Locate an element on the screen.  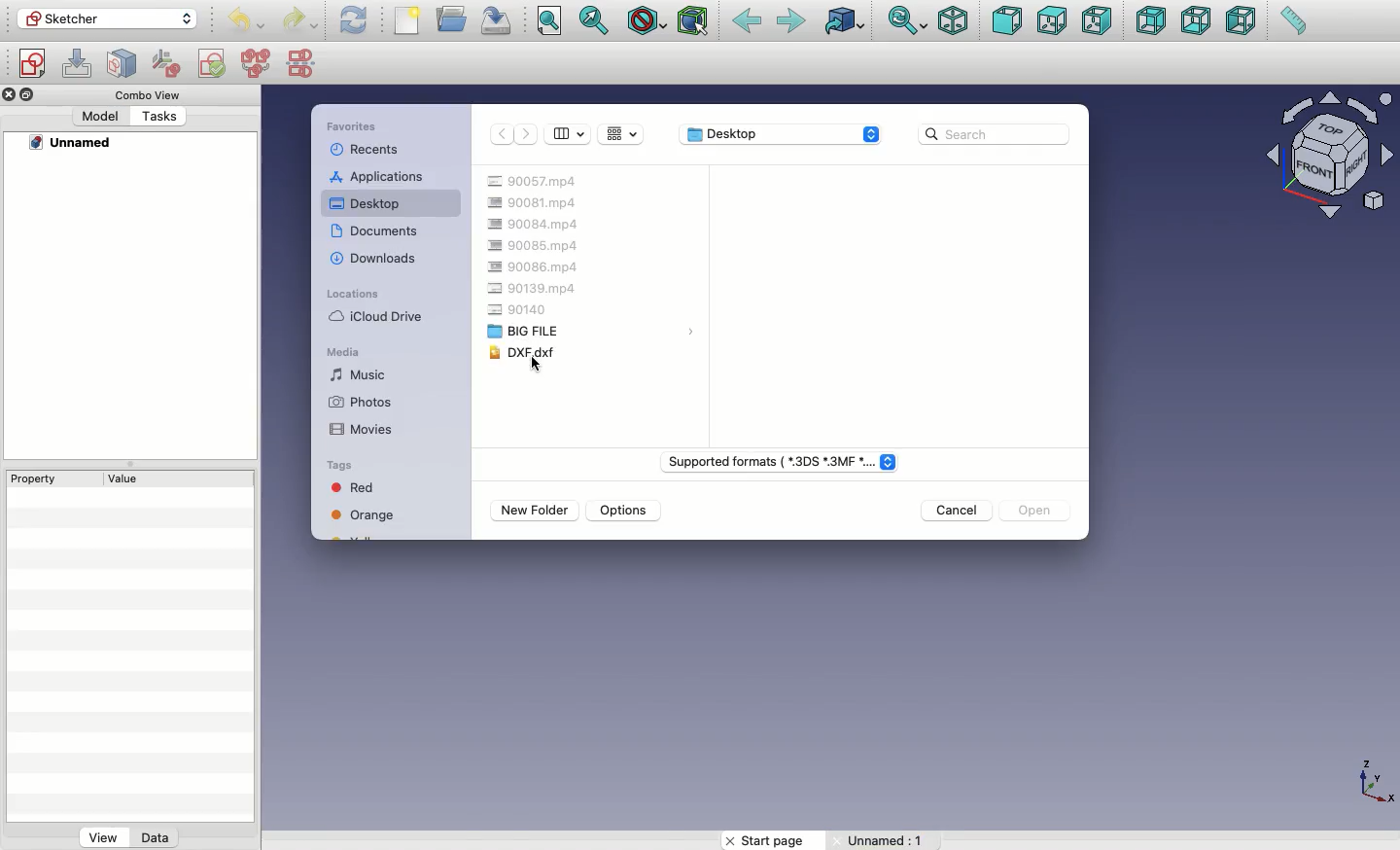
Open is located at coordinates (454, 18).